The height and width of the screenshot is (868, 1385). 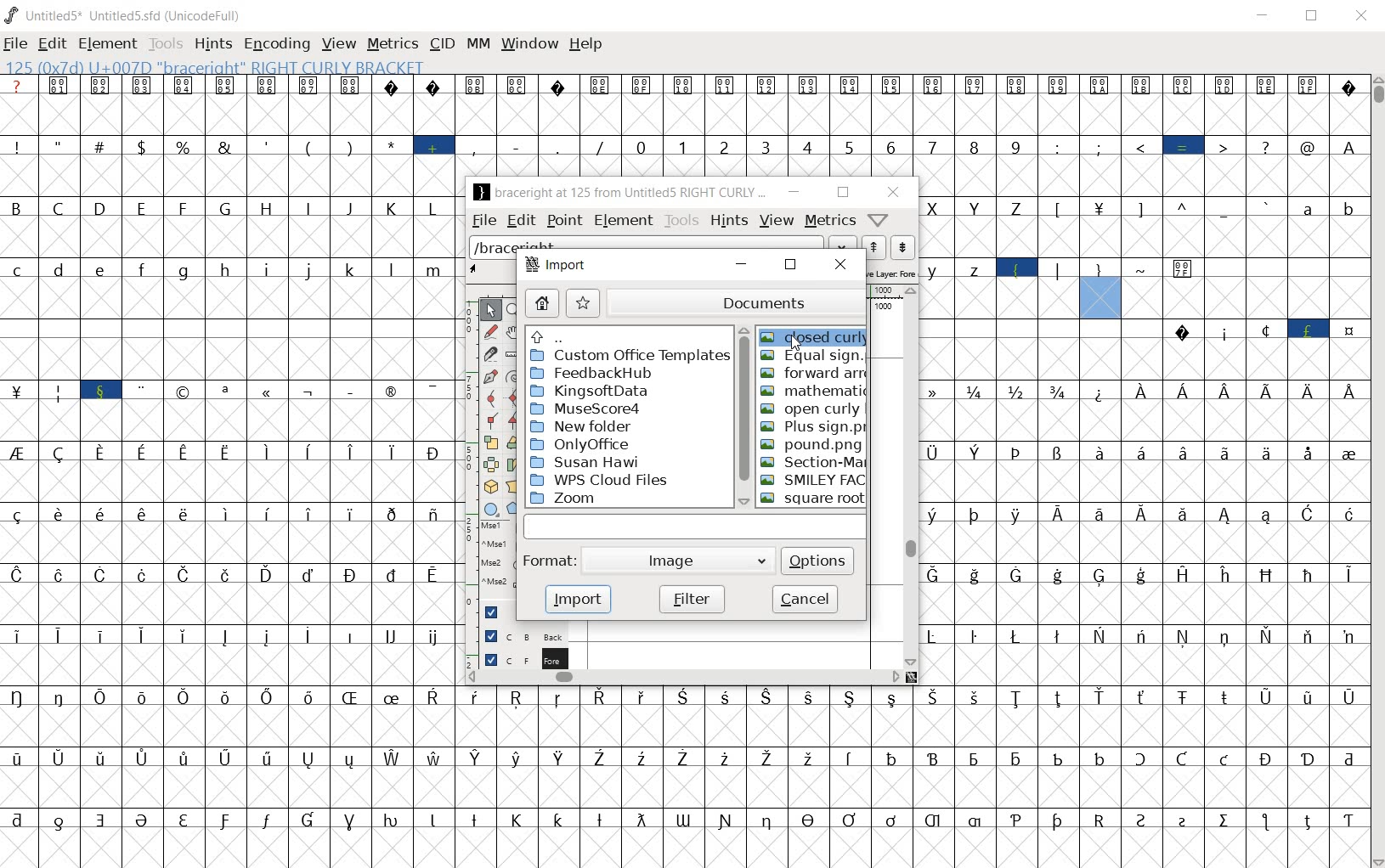 I want to click on OnlyOffice, so click(x=579, y=446).